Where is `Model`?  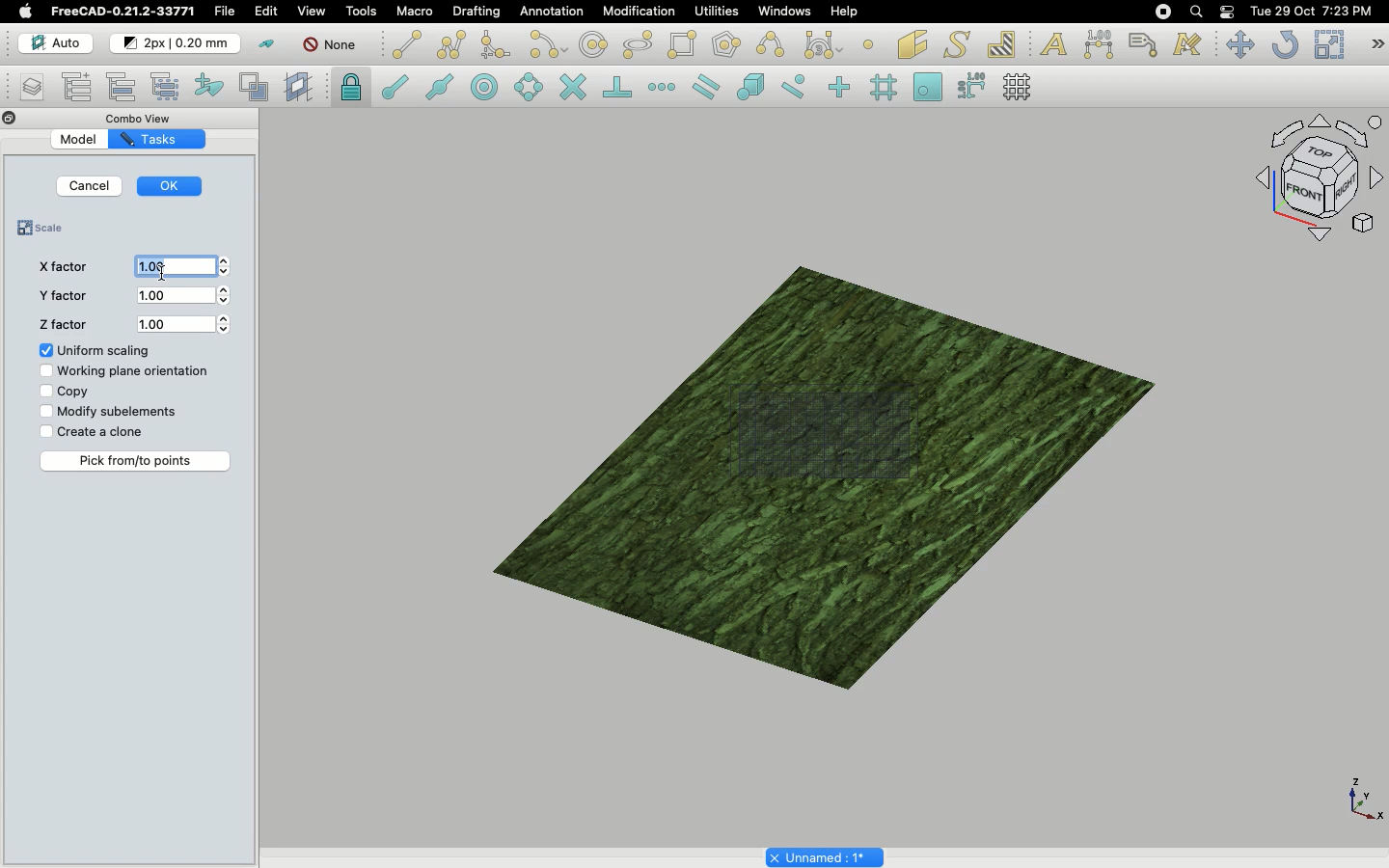 Model is located at coordinates (80, 140).